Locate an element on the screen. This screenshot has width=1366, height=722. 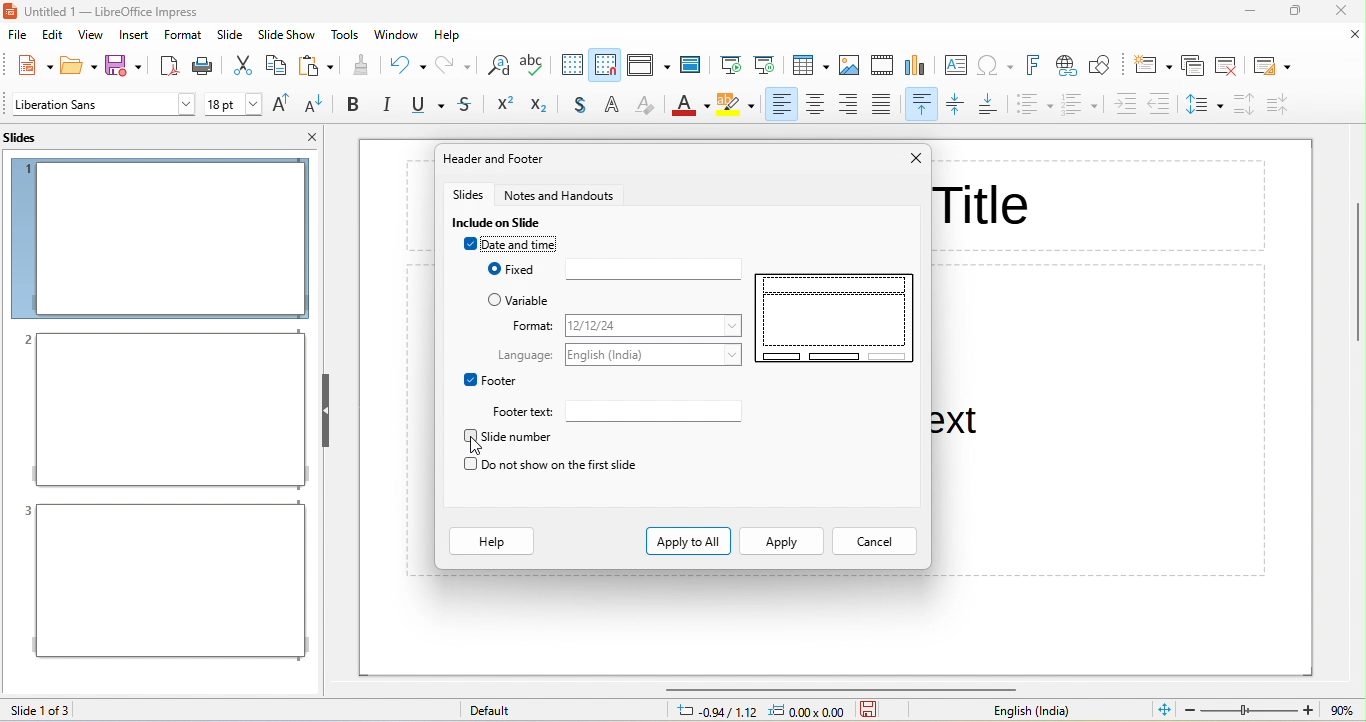
0.94/1.12 is located at coordinates (712, 712).